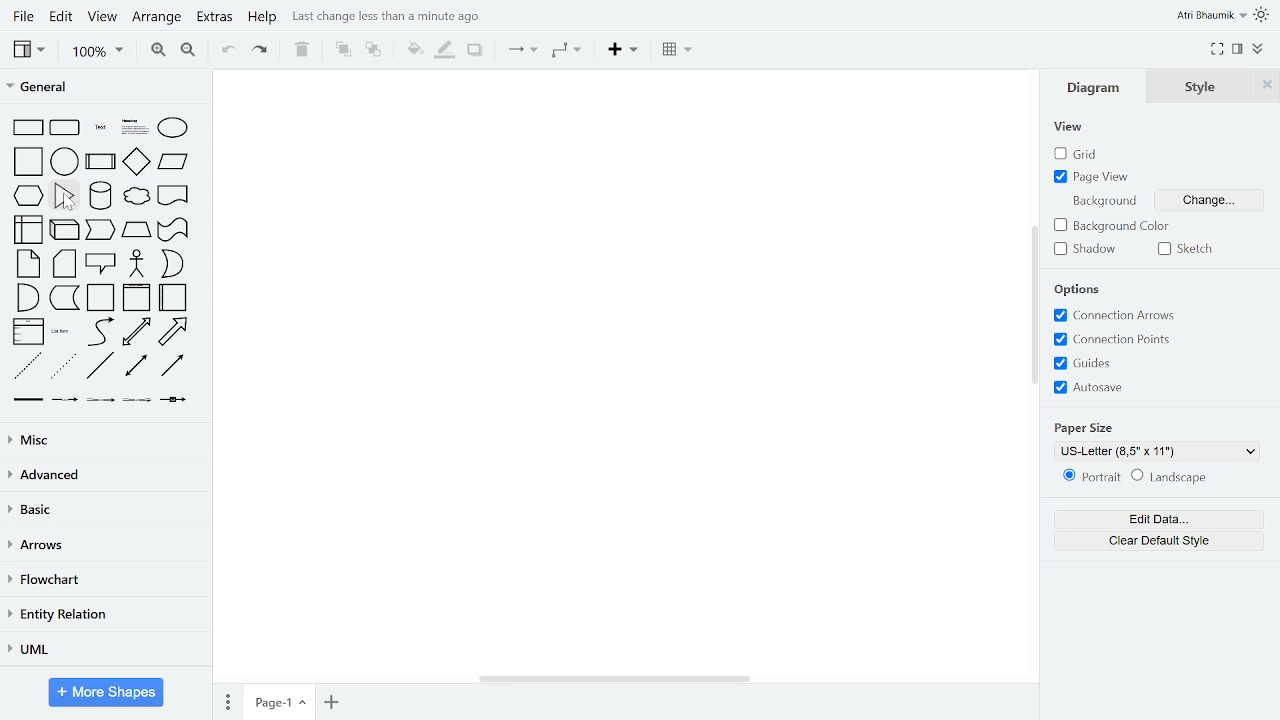 The width and height of the screenshot is (1280, 720). I want to click on edit data, so click(1158, 520).